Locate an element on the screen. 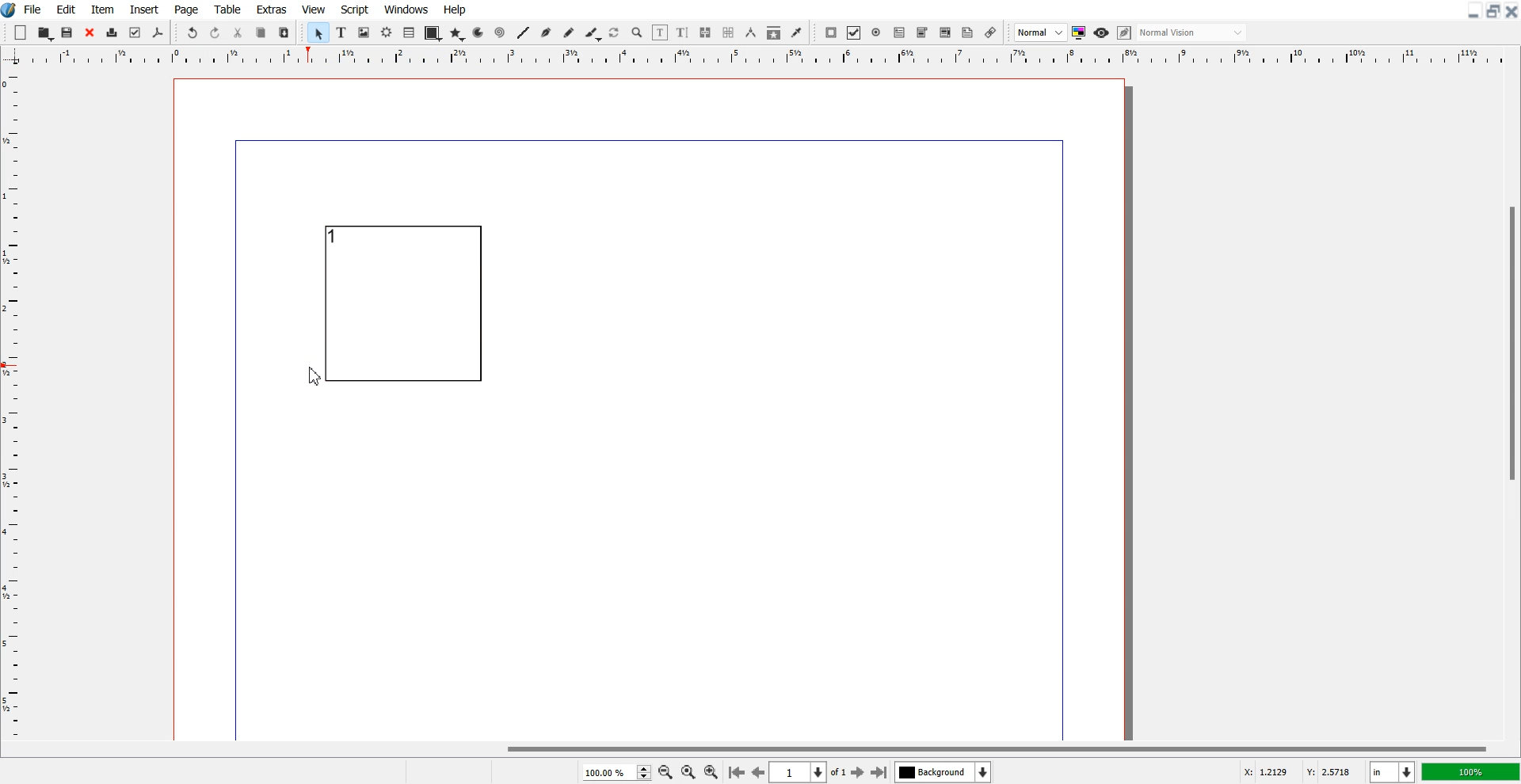 Image resolution: width=1521 pixels, height=784 pixels. PDF Text Box is located at coordinates (899, 32).